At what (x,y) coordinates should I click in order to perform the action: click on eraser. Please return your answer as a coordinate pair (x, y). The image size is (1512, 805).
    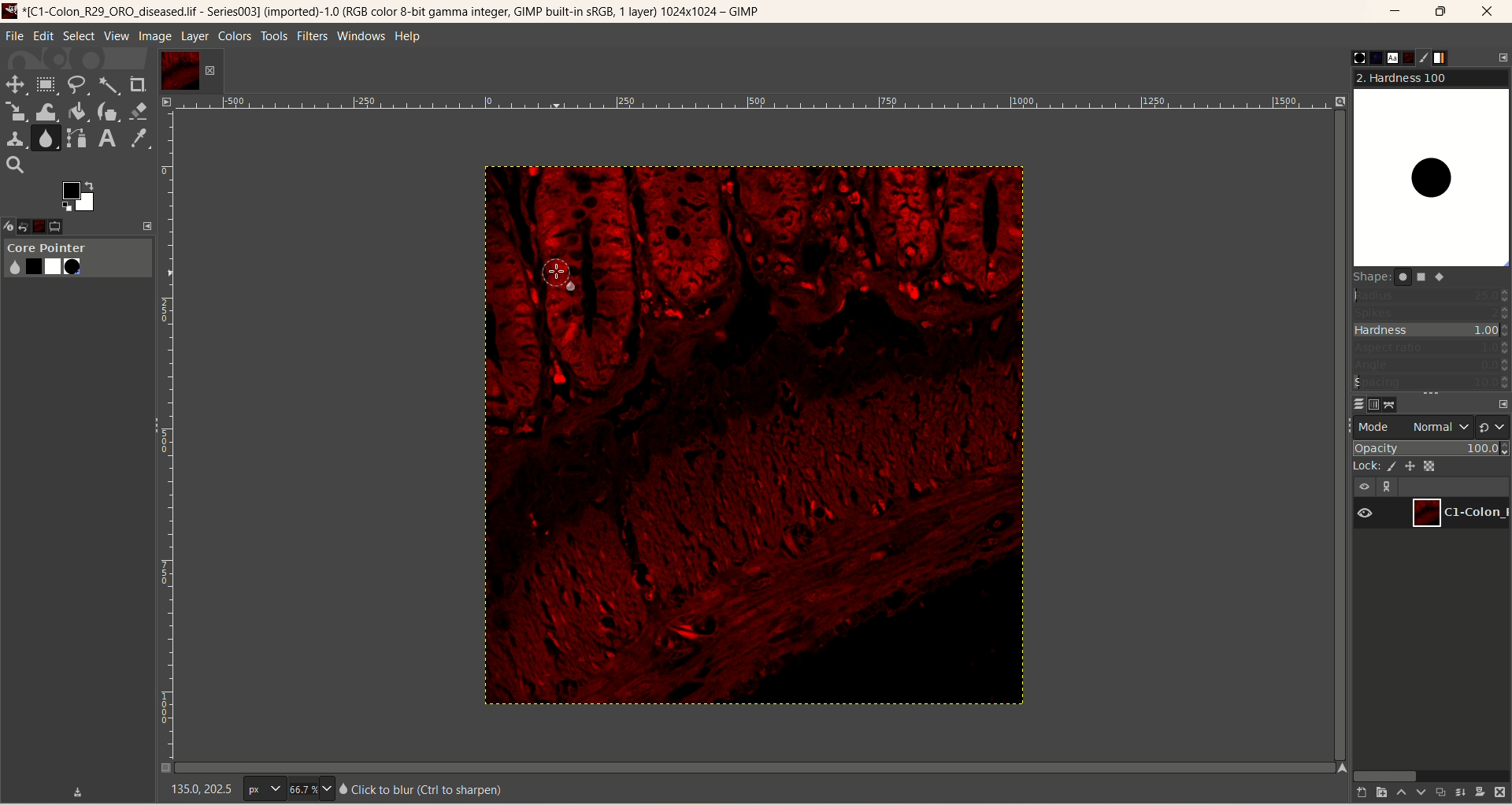
    Looking at the image, I should click on (140, 111).